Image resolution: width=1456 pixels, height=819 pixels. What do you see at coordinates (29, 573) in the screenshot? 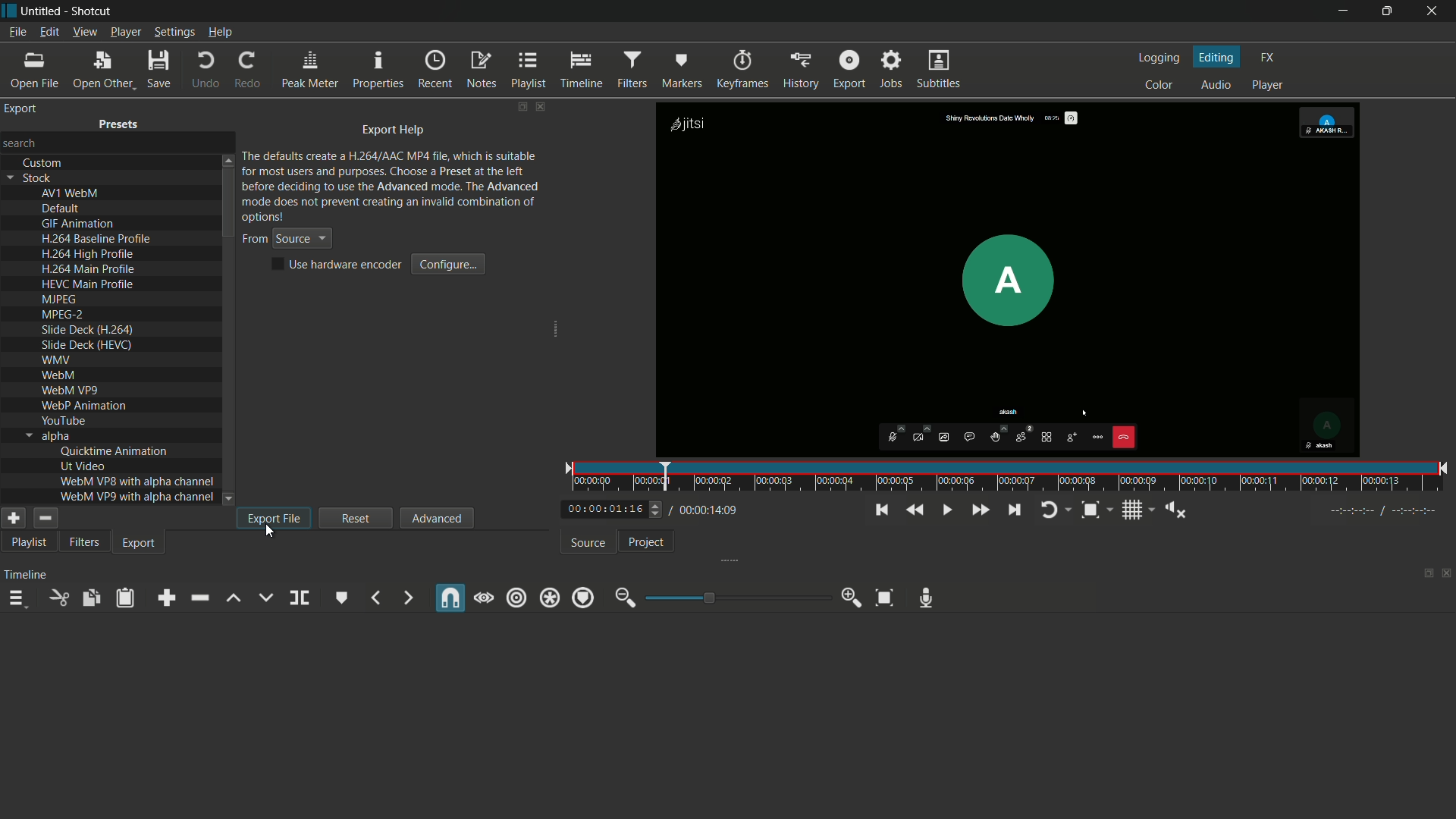
I see `Timeline` at bounding box center [29, 573].